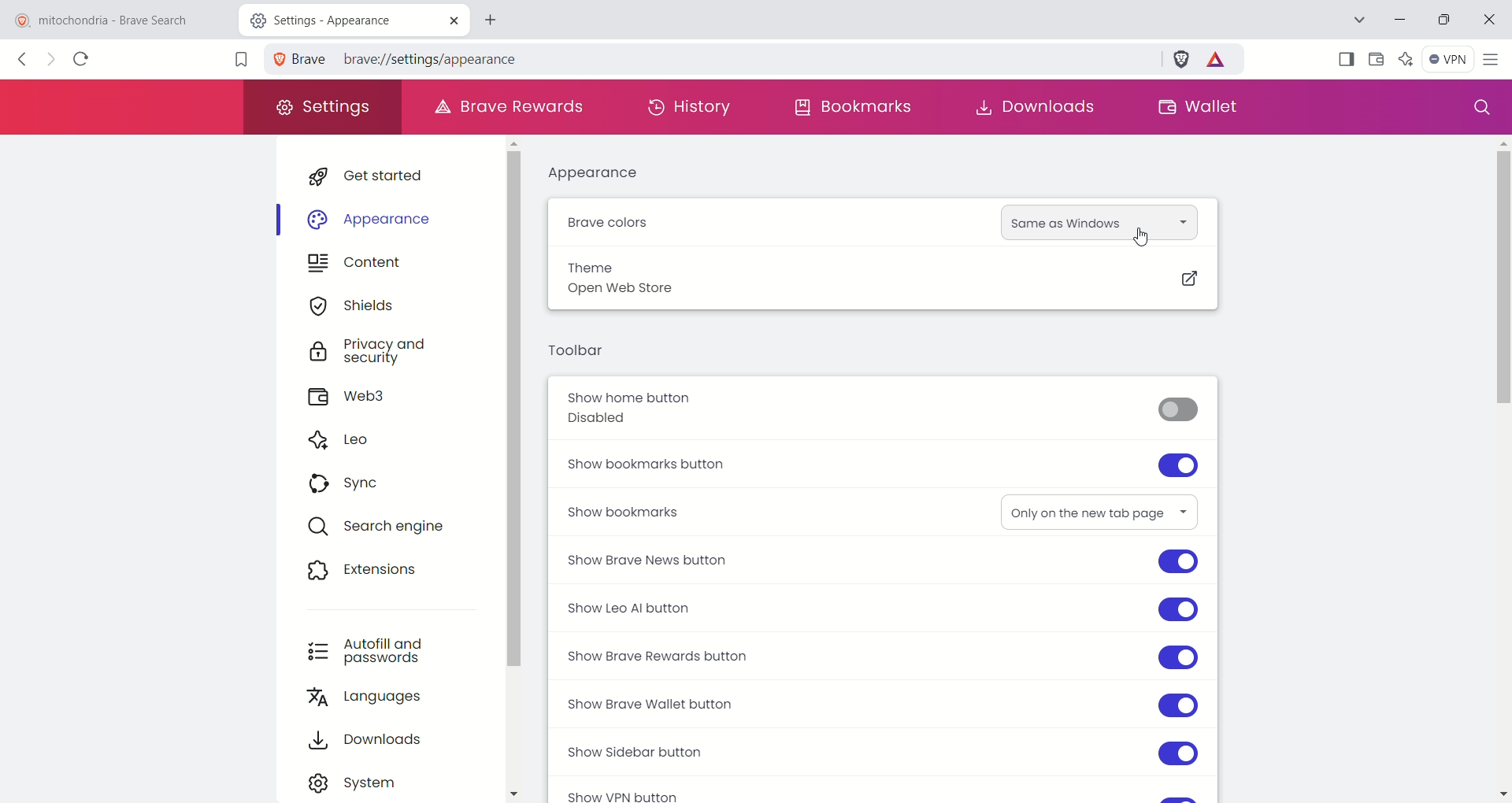  I want to click on VPN, so click(1447, 58).